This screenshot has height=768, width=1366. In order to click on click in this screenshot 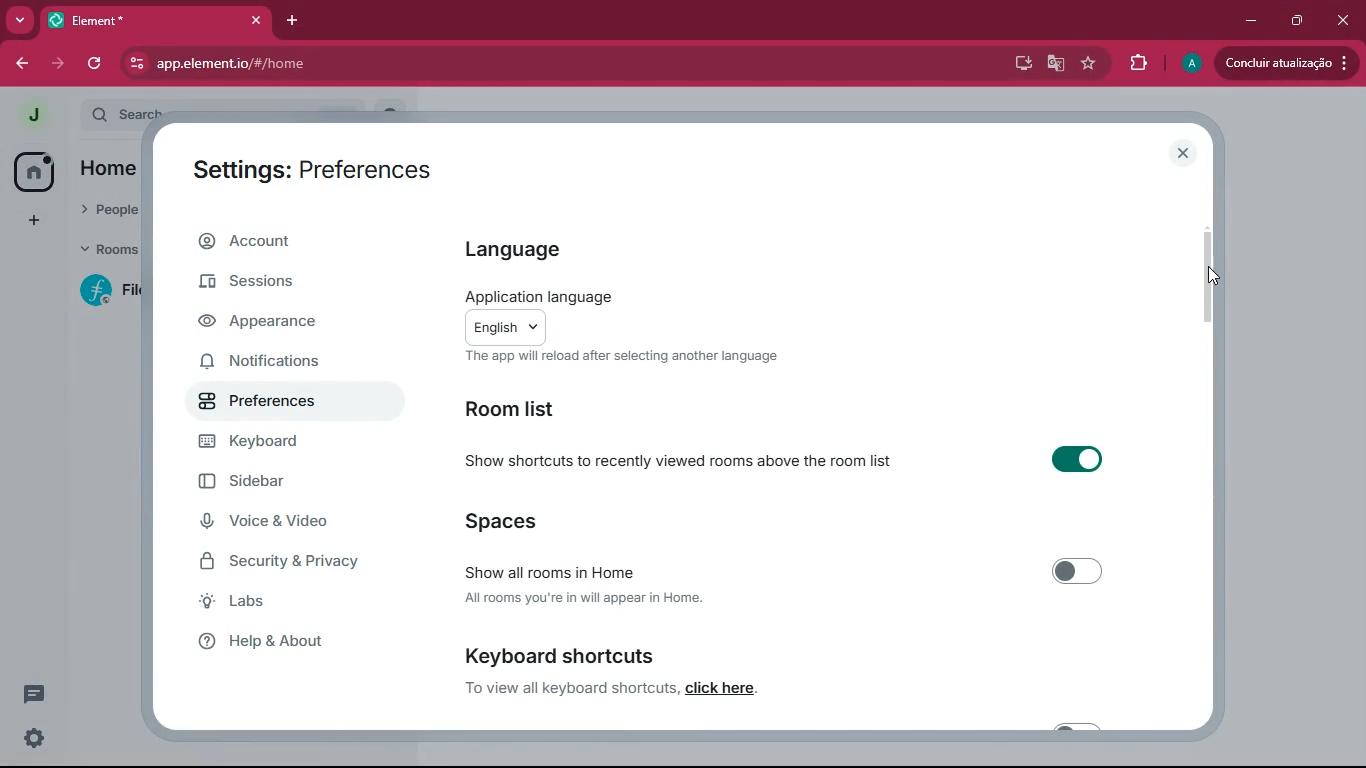, I will do `click(1346, 22)`.